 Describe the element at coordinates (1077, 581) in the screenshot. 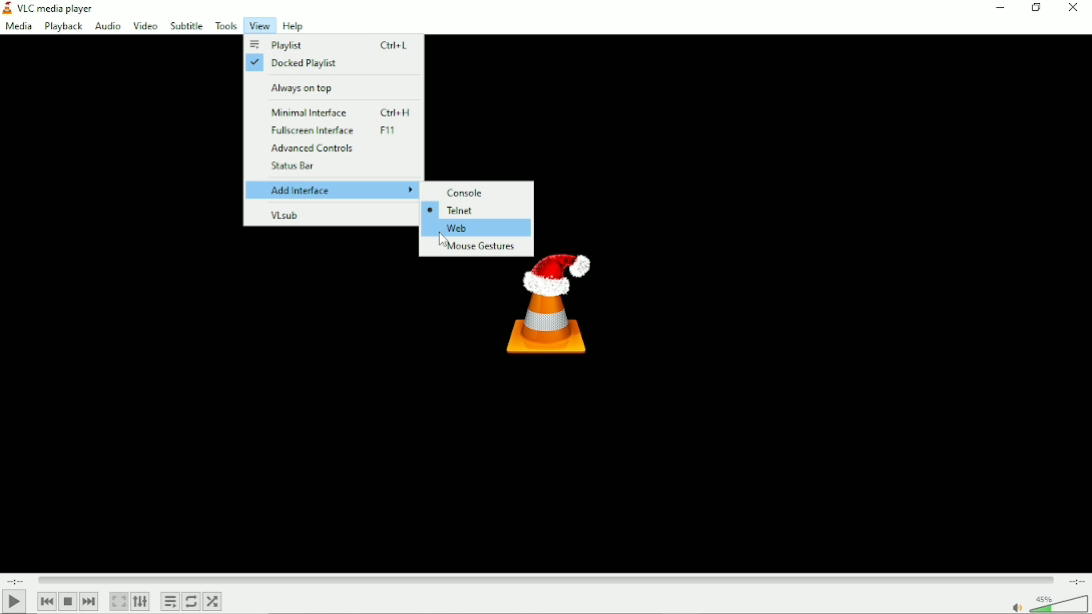

I see `Total duration` at that location.